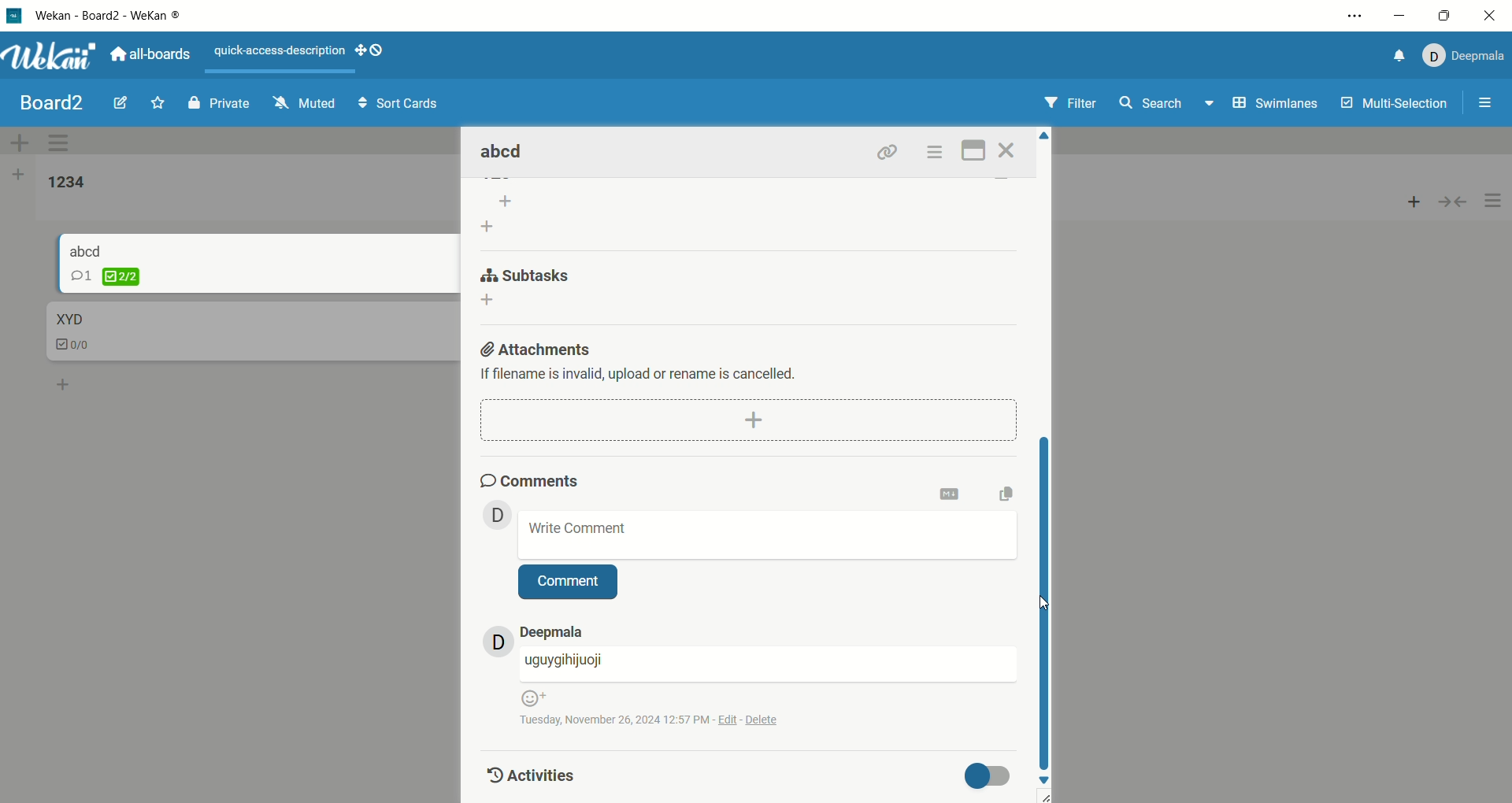  What do you see at coordinates (1168, 105) in the screenshot?
I see `search` at bounding box center [1168, 105].